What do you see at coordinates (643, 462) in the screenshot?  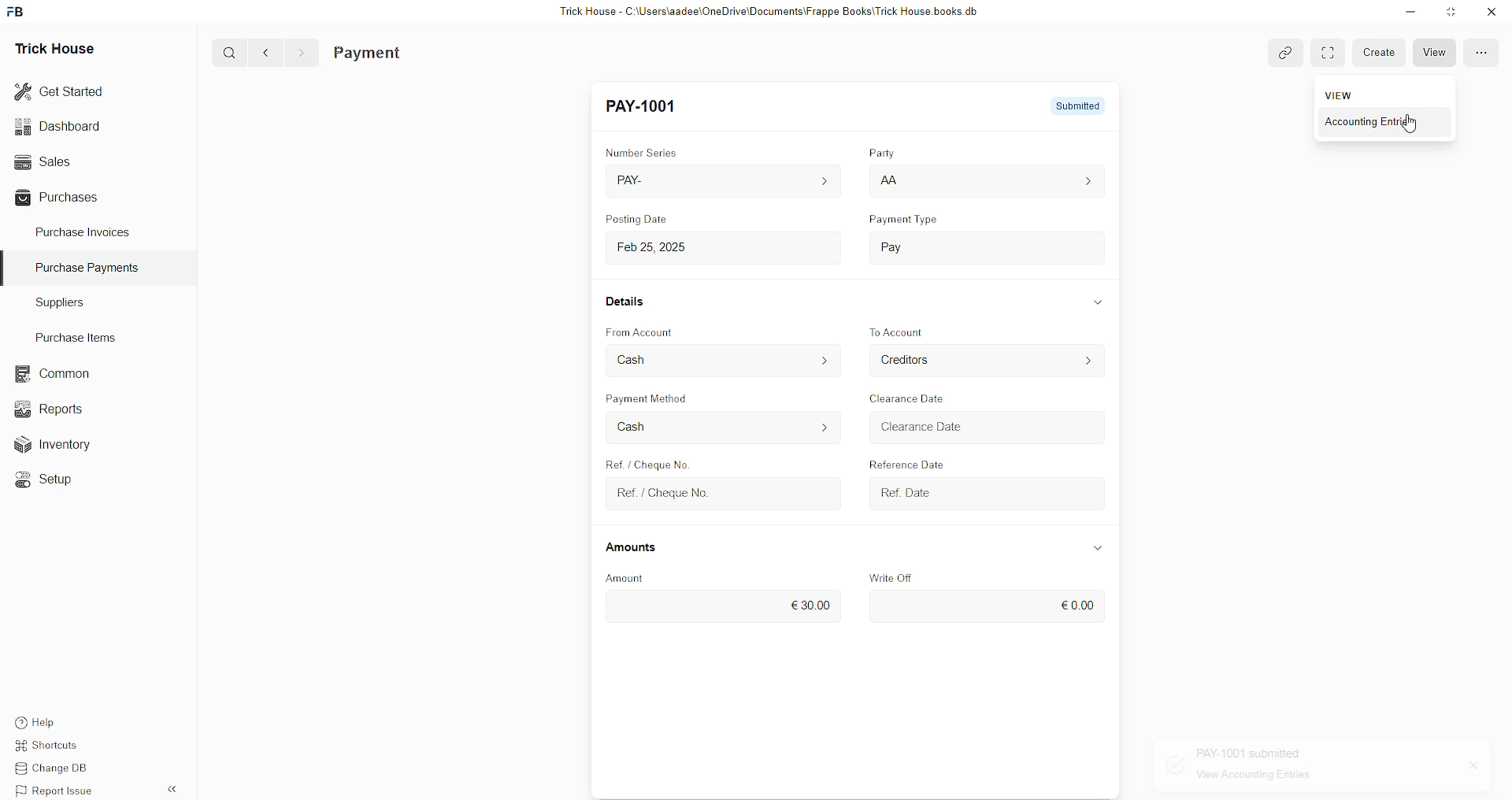 I see `Ref. / Cheque No.` at bounding box center [643, 462].